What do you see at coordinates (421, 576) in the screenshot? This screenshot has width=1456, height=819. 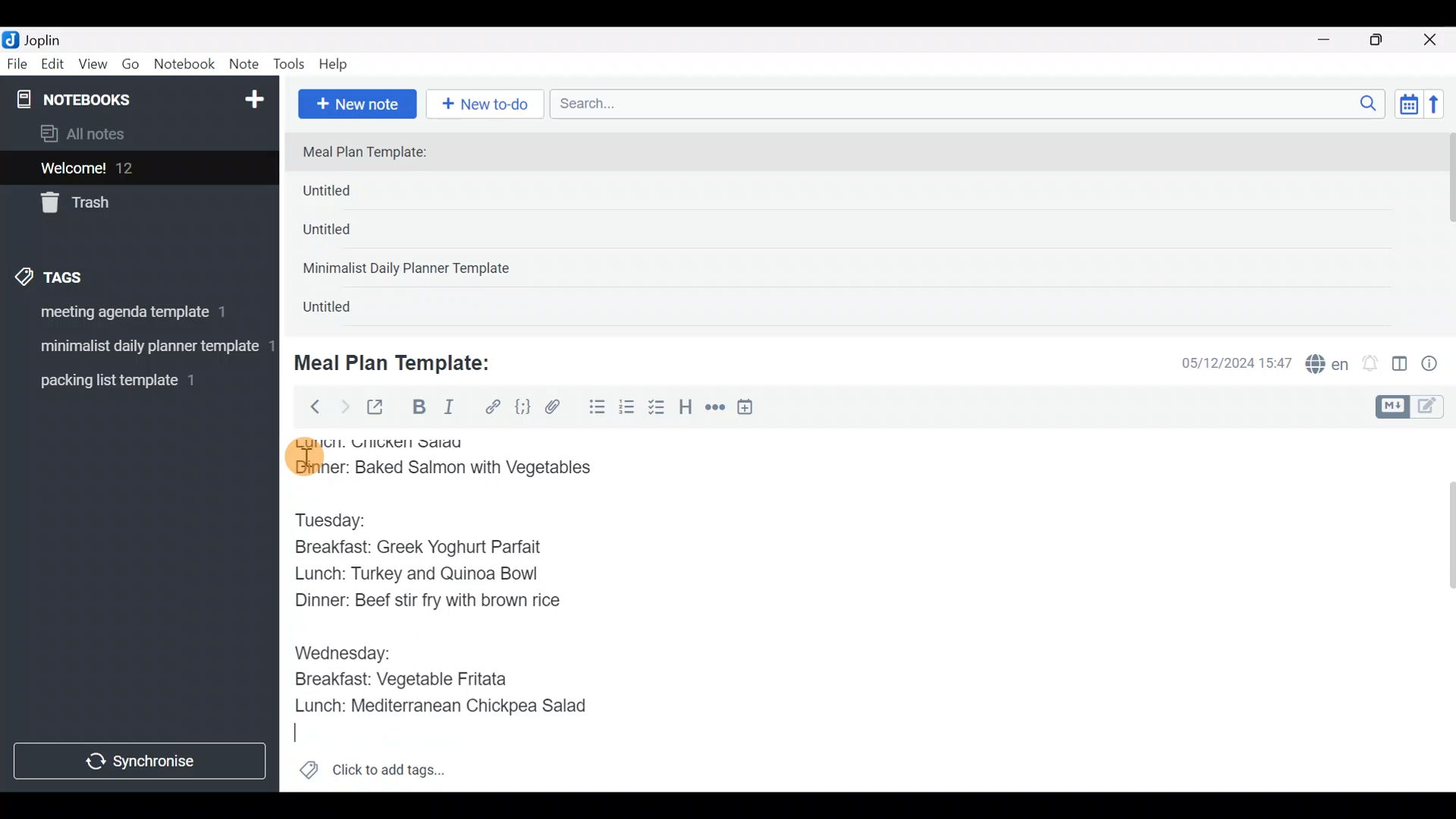 I see `Lunch: Turkey and Quinoa Bowl` at bounding box center [421, 576].